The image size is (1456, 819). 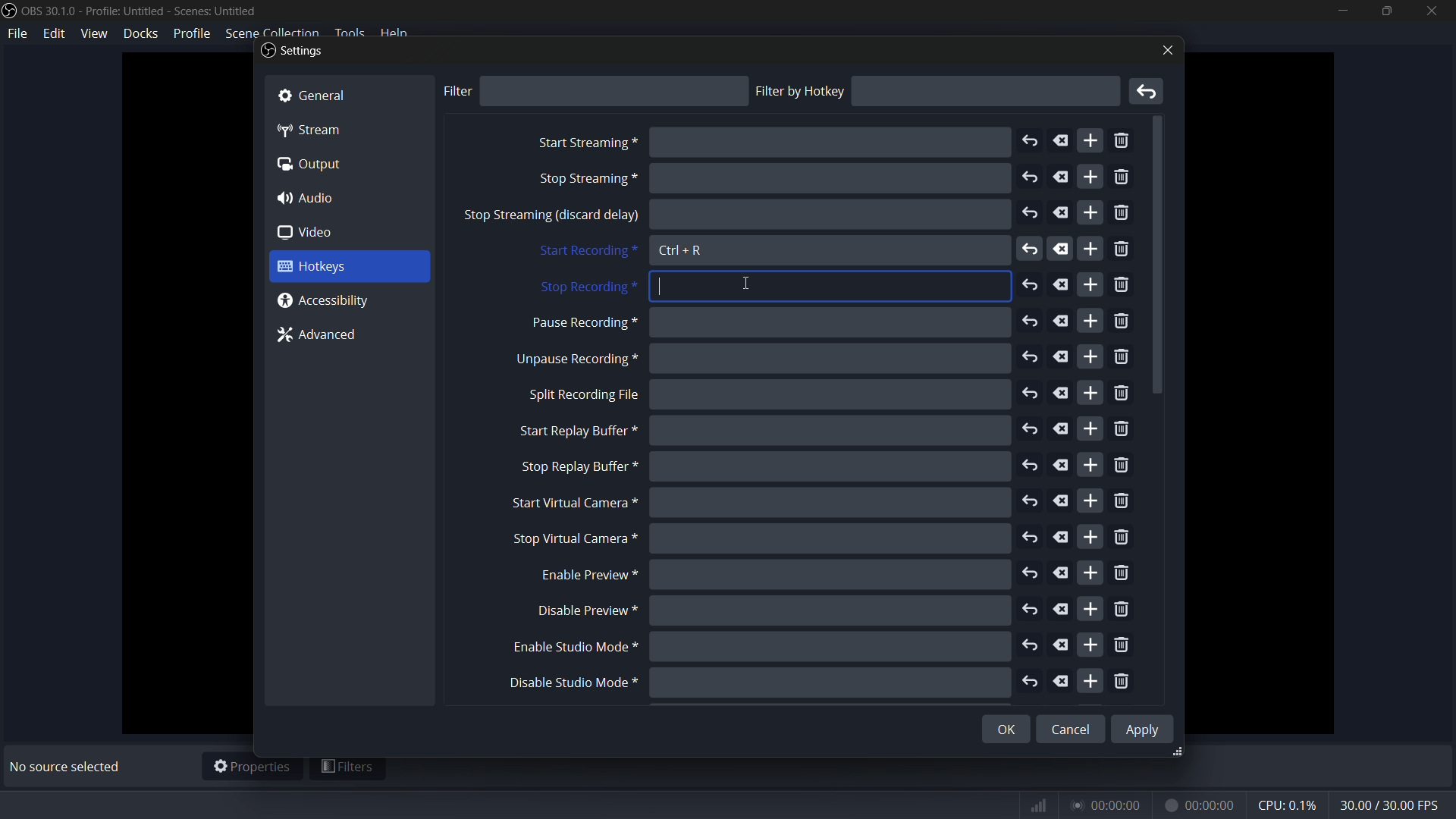 What do you see at coordinates (319, 129) in the screenshot?
I see `“4p Stream` at bounding box center [319, 129].